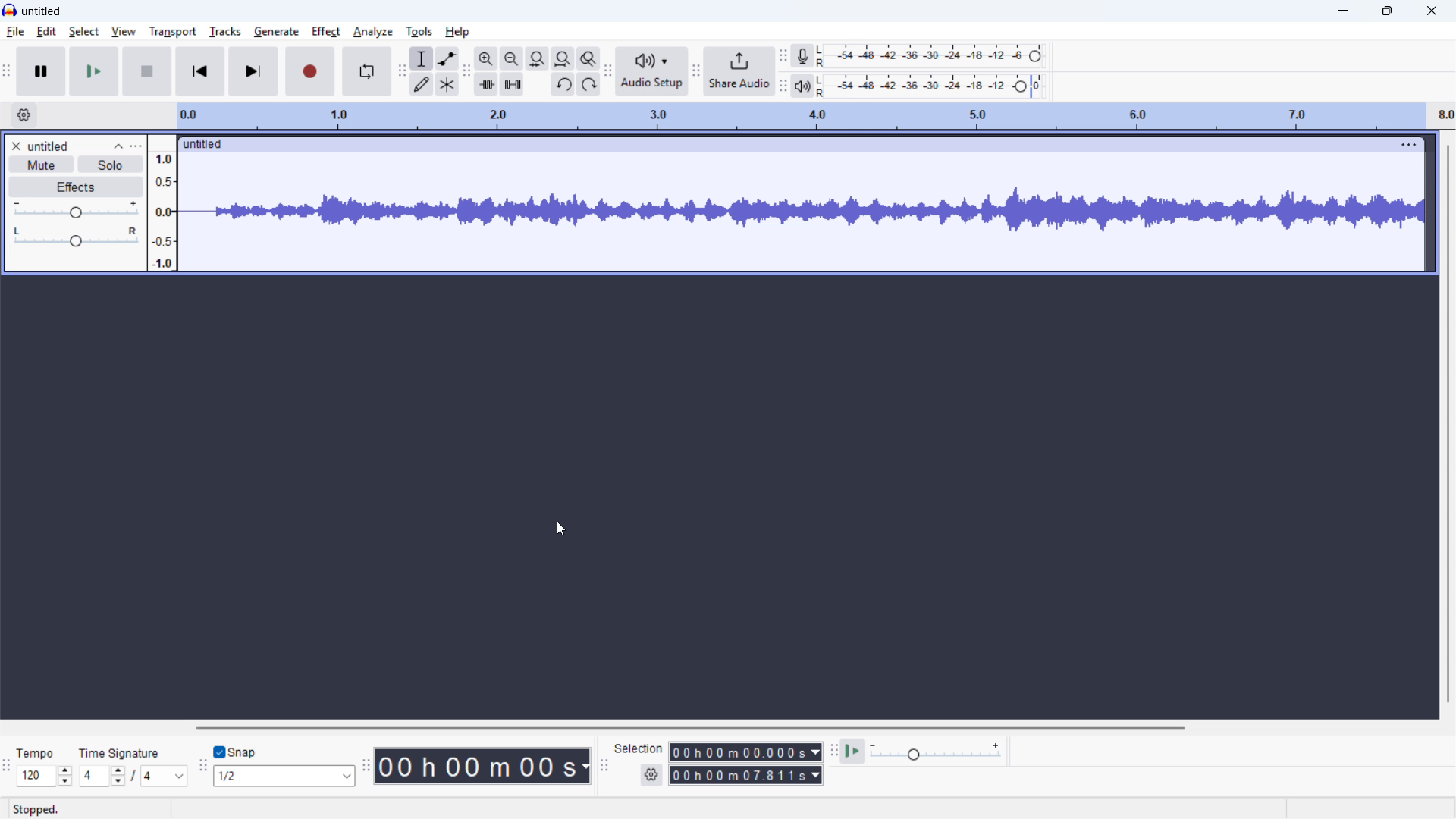 The image size is (1456, 819). I want to click on select, so click(85, 32).